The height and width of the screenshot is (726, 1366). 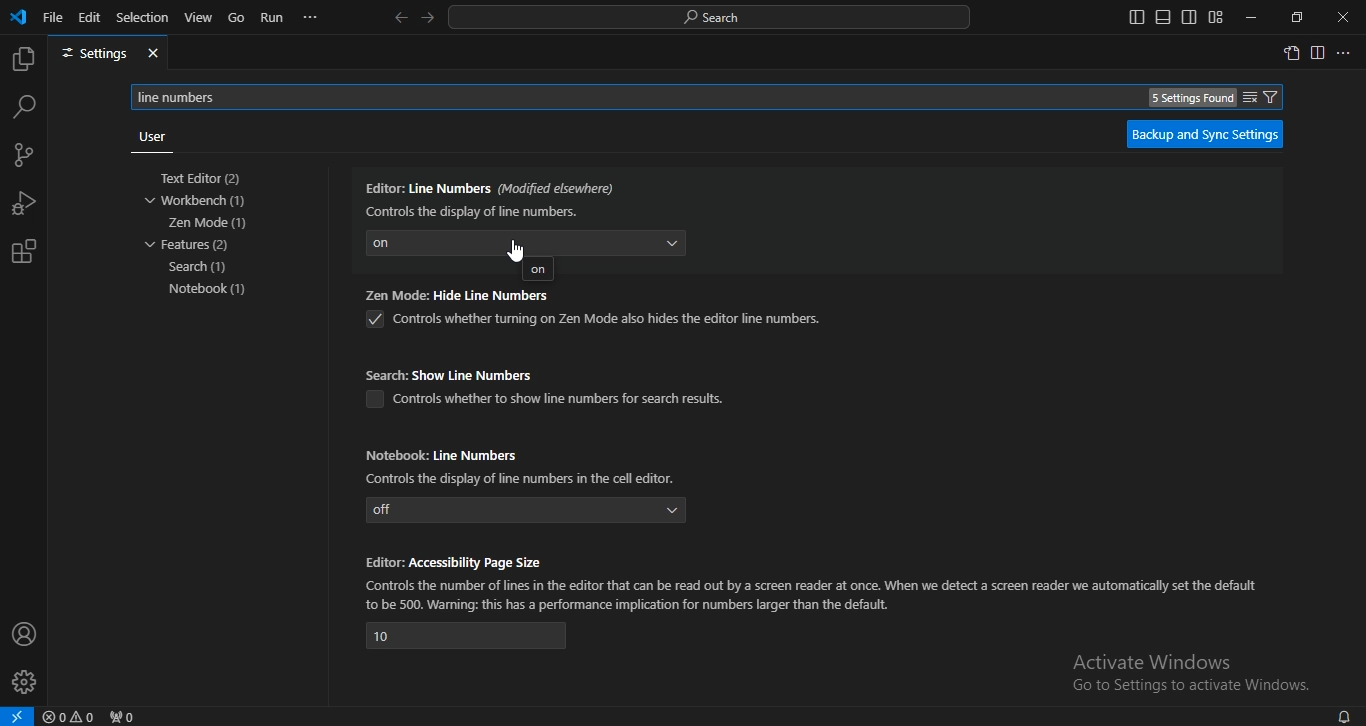 What do you see at coordinates (1297, 17) in the screenshot?
I see `restore down` at bounding box center [1297, 17].